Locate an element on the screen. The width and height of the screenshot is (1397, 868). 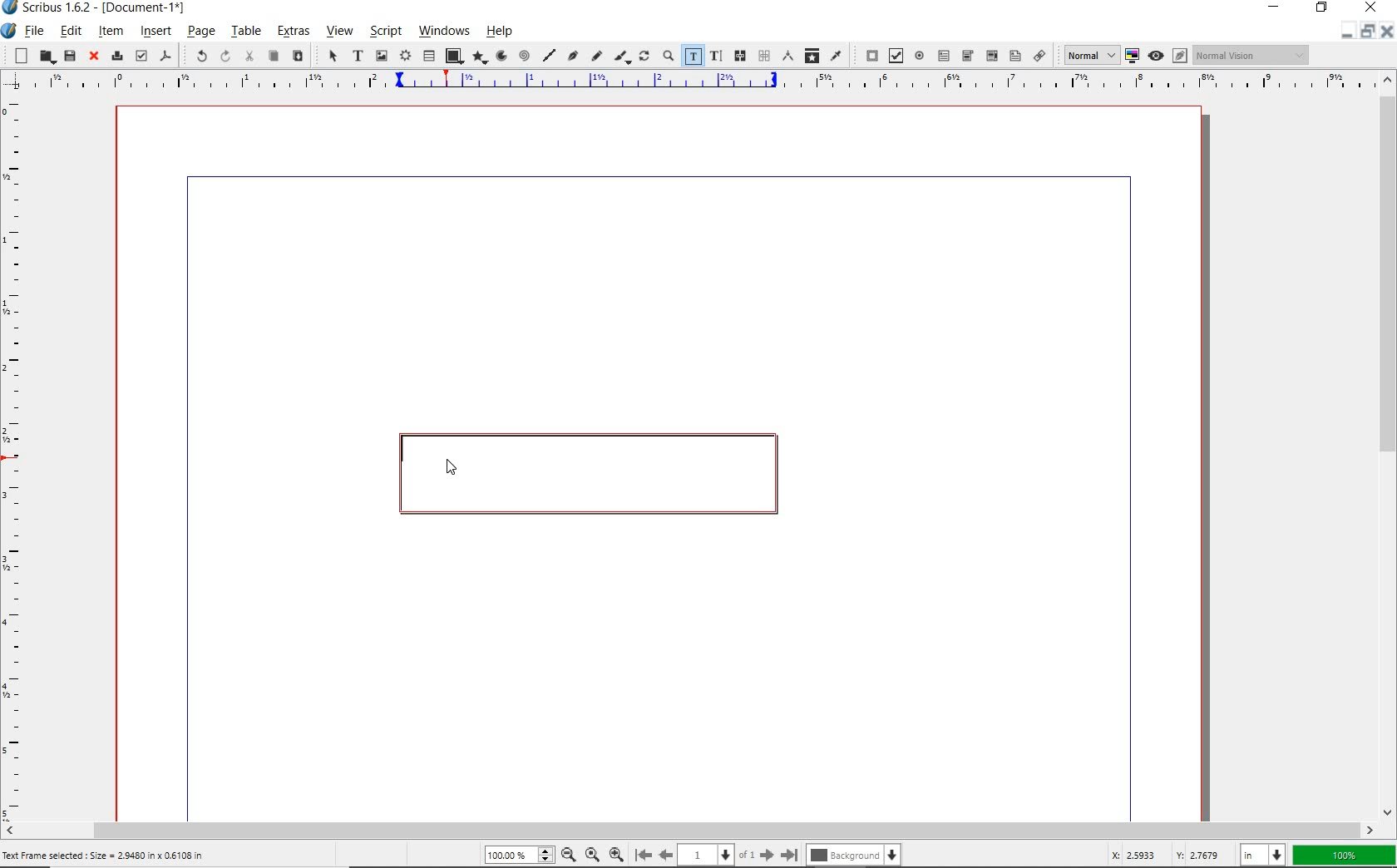
scrollbar is located at coordinates (689, 830).